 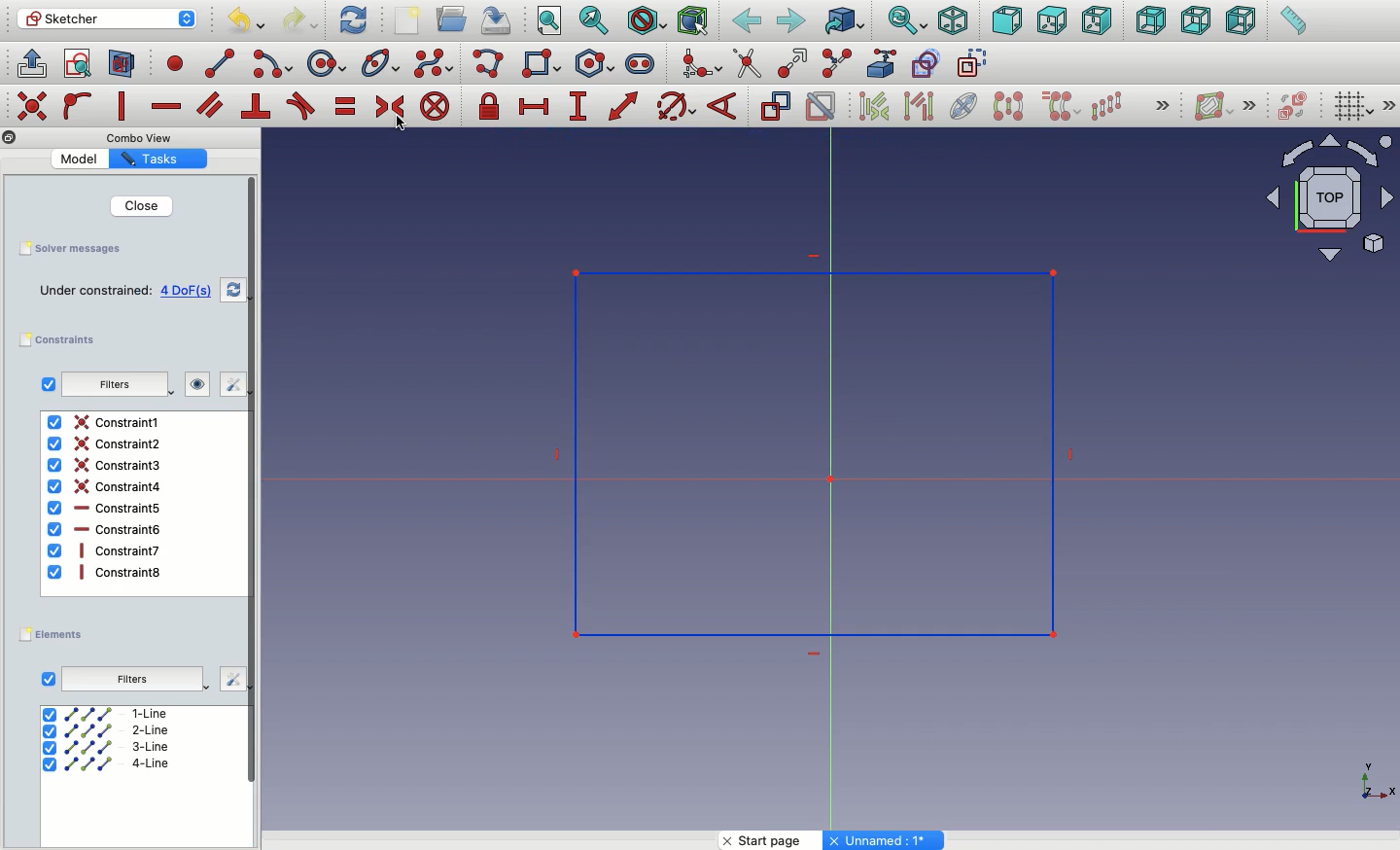 What do you see at coordinates (411, 22) in the screenshot?
I see `New` at bounding box center [411, 22].